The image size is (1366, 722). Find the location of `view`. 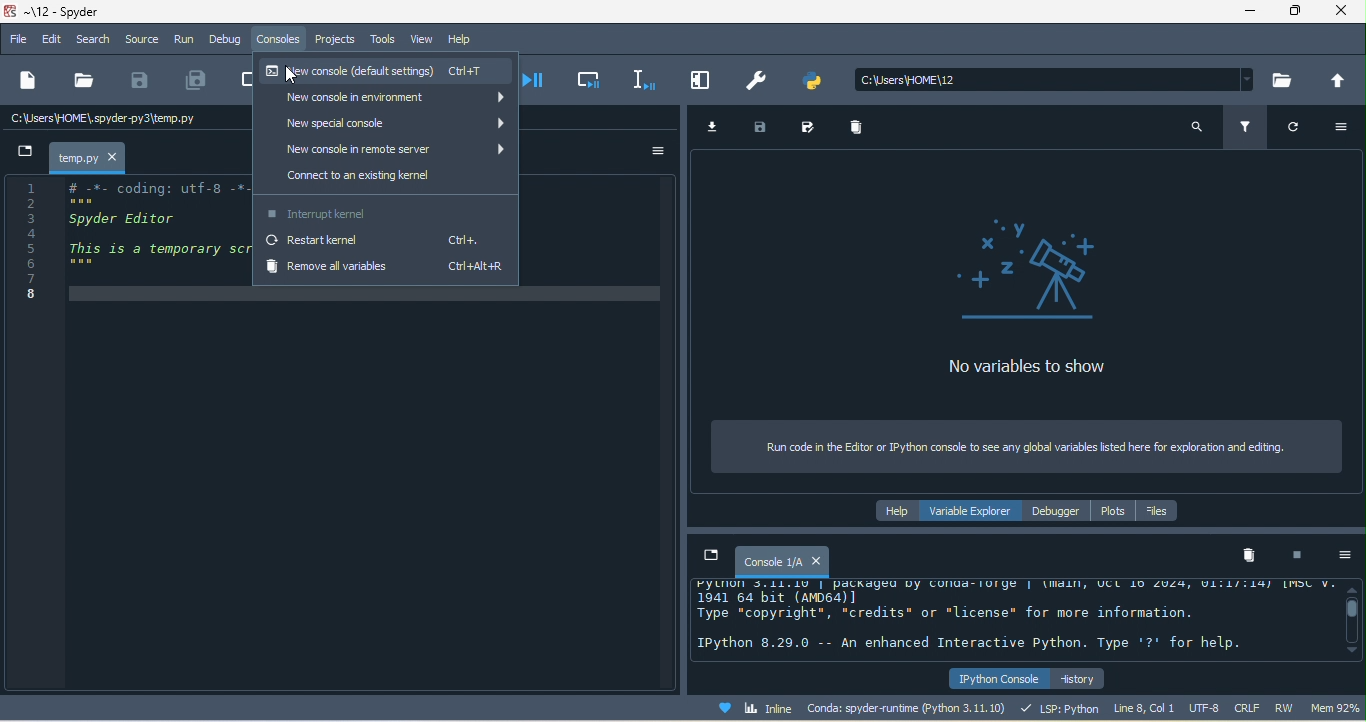

view is located at coordinates (423, 40).